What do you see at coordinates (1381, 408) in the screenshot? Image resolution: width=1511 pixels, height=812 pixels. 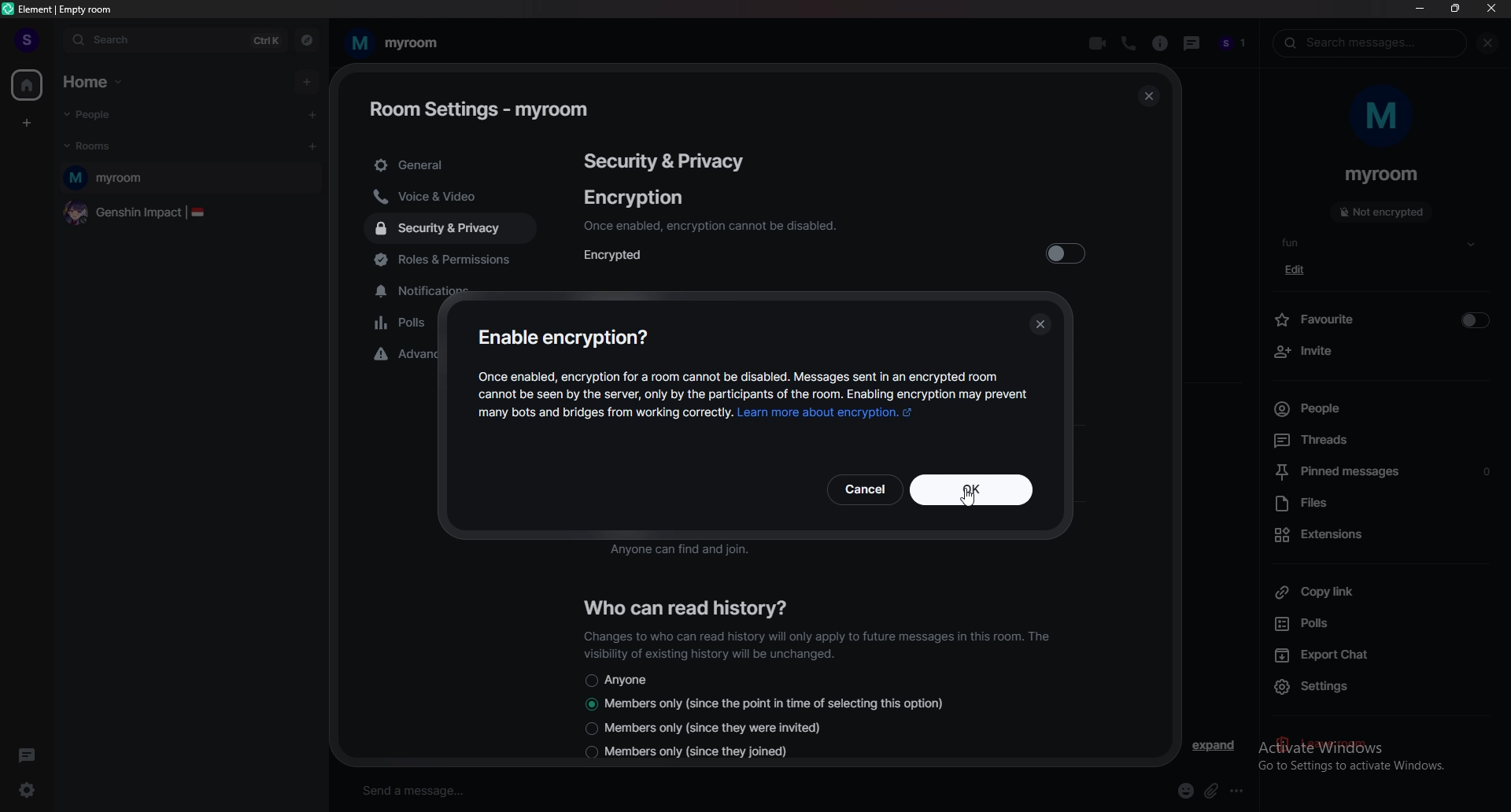 I see `people` at bounding box center [1381, 408].